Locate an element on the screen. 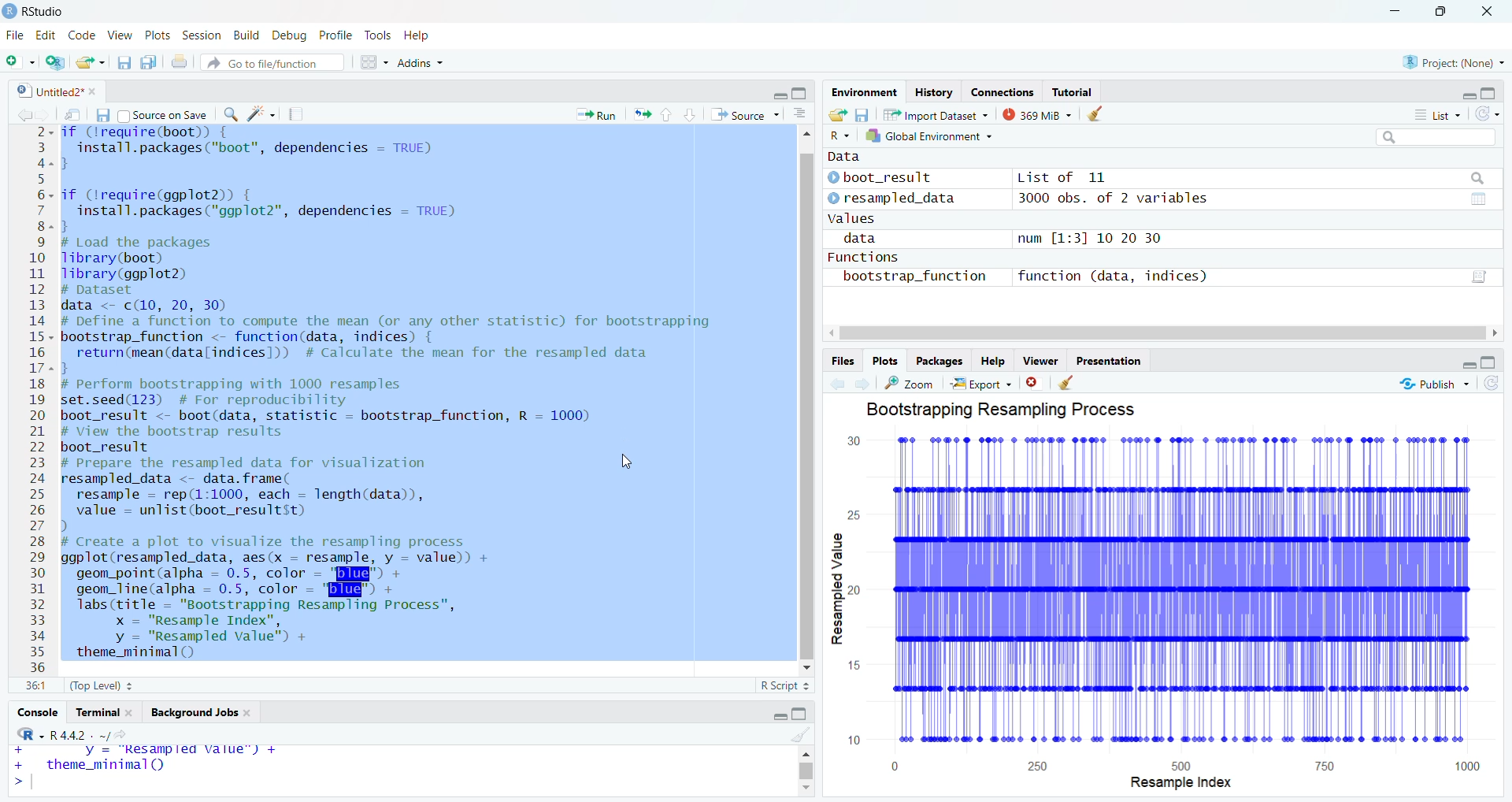  num [1:3] 10 20 30 is located at coordinates (1099, 239).